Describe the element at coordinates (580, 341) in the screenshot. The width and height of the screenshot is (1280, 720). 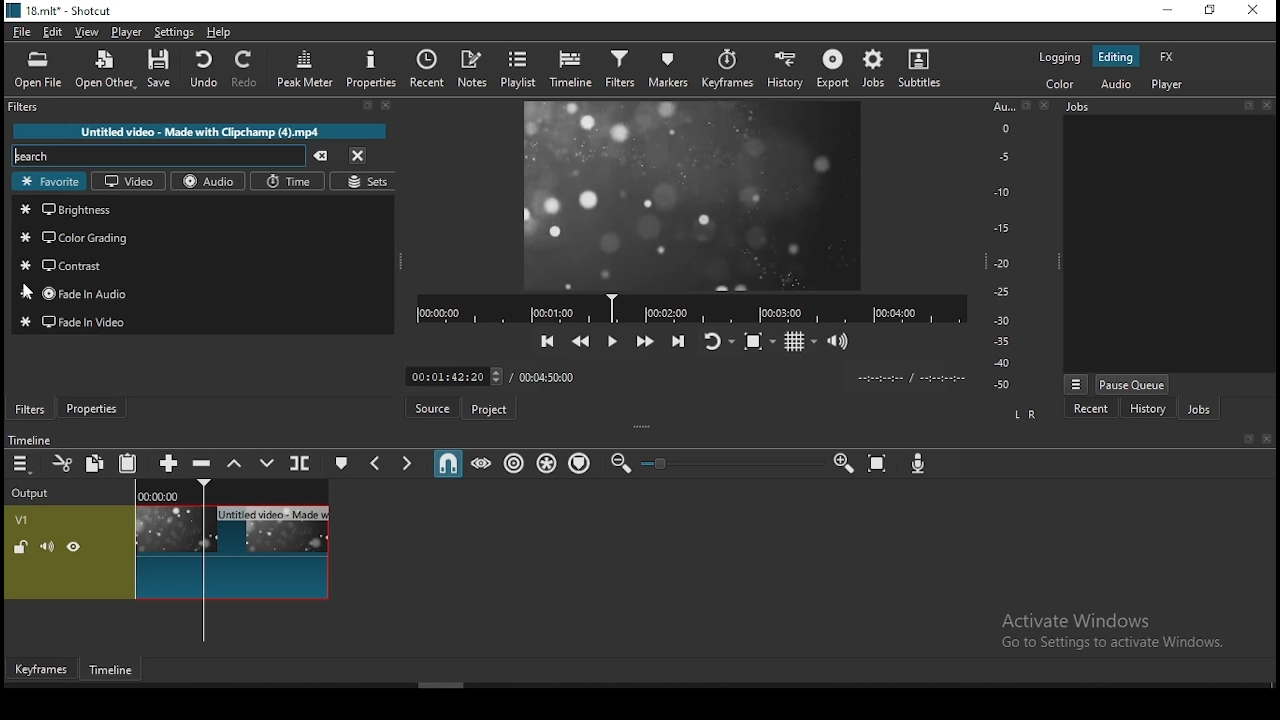
I see `play quickly backwards` at that location.